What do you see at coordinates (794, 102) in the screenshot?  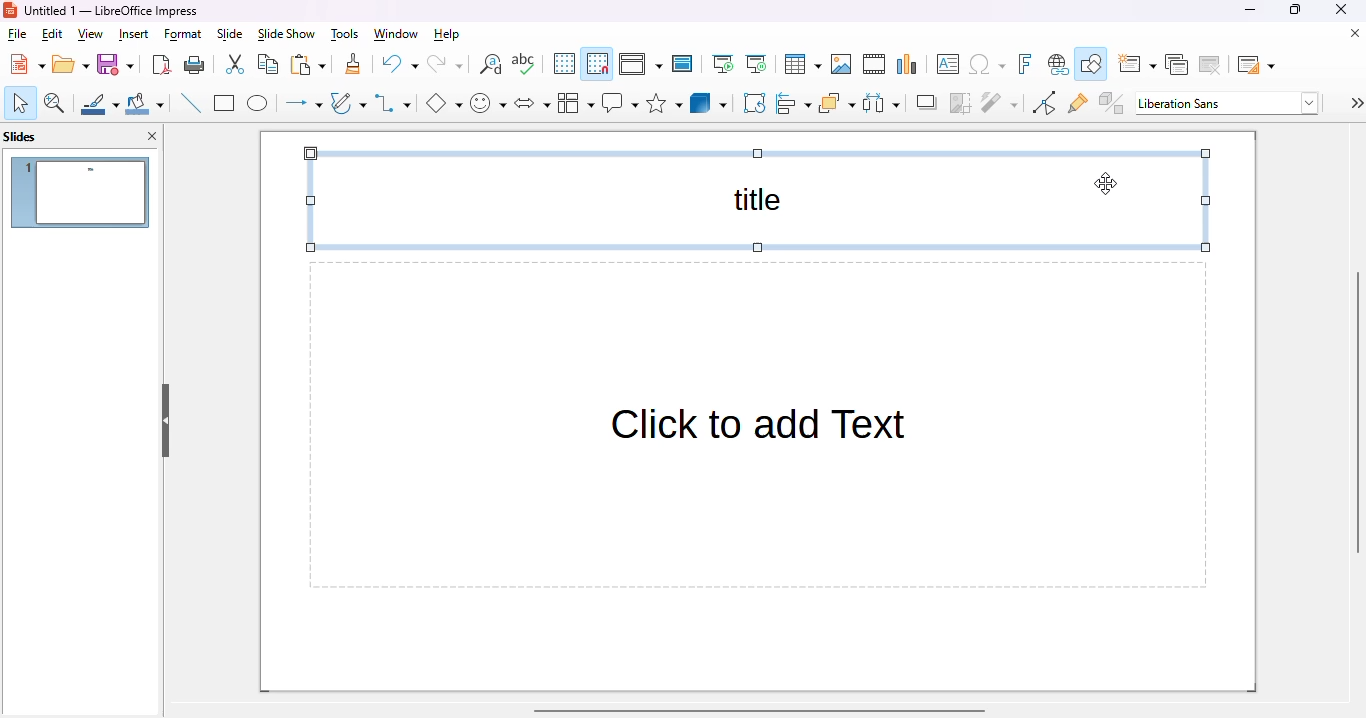 I see `align objects` at bounding box center [794, 102].